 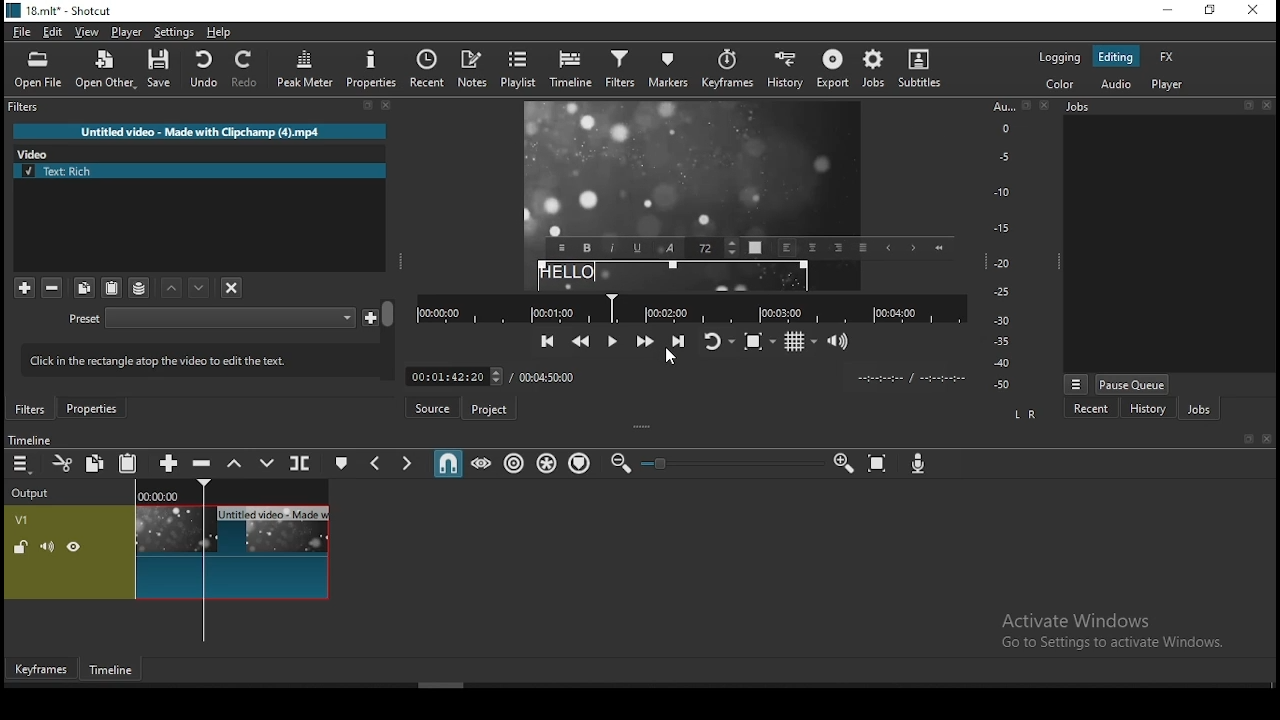 I want to click on paste, so click(x=128, y=462).